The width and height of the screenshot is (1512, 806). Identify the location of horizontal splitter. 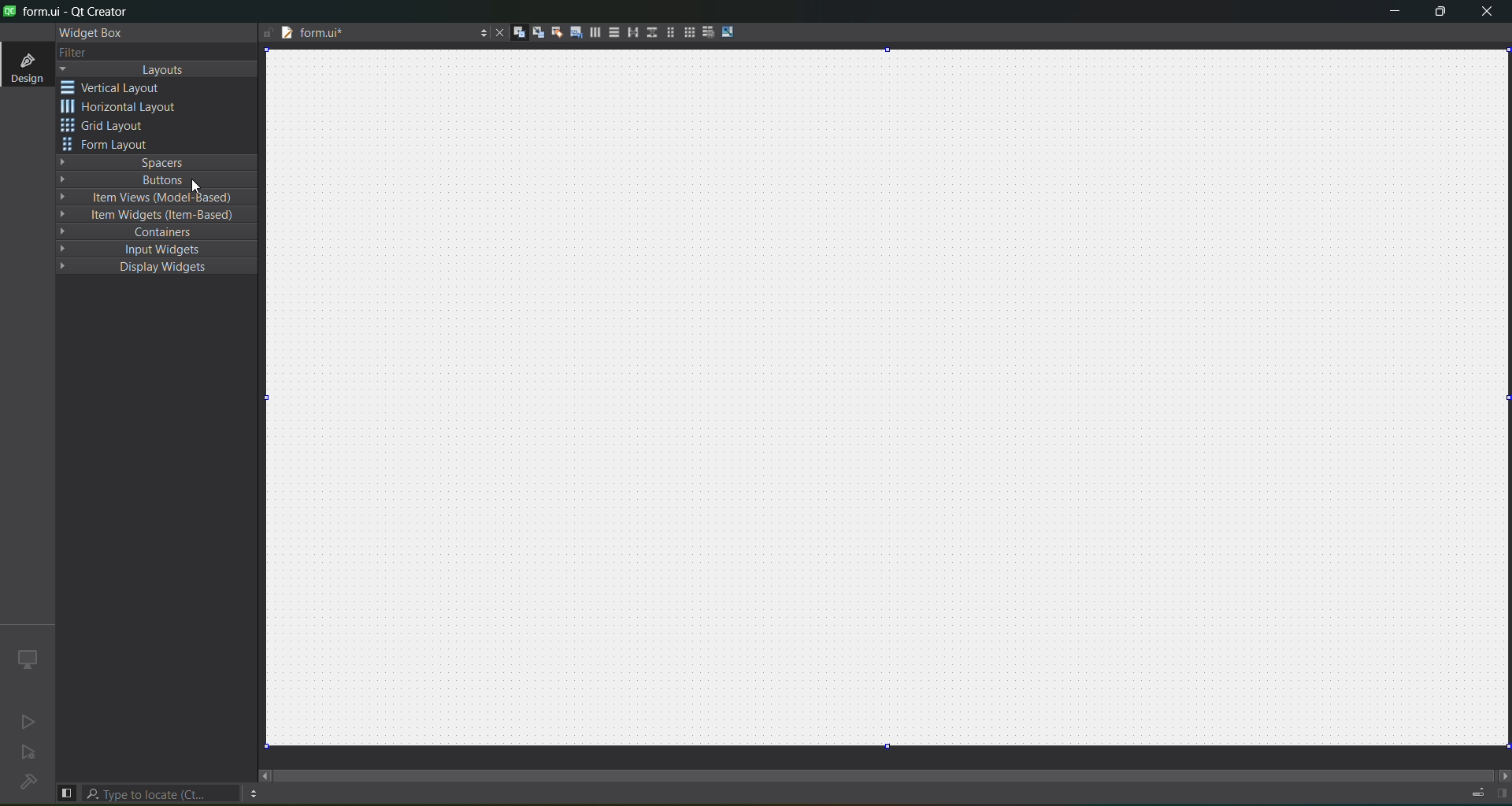
(630, 35).